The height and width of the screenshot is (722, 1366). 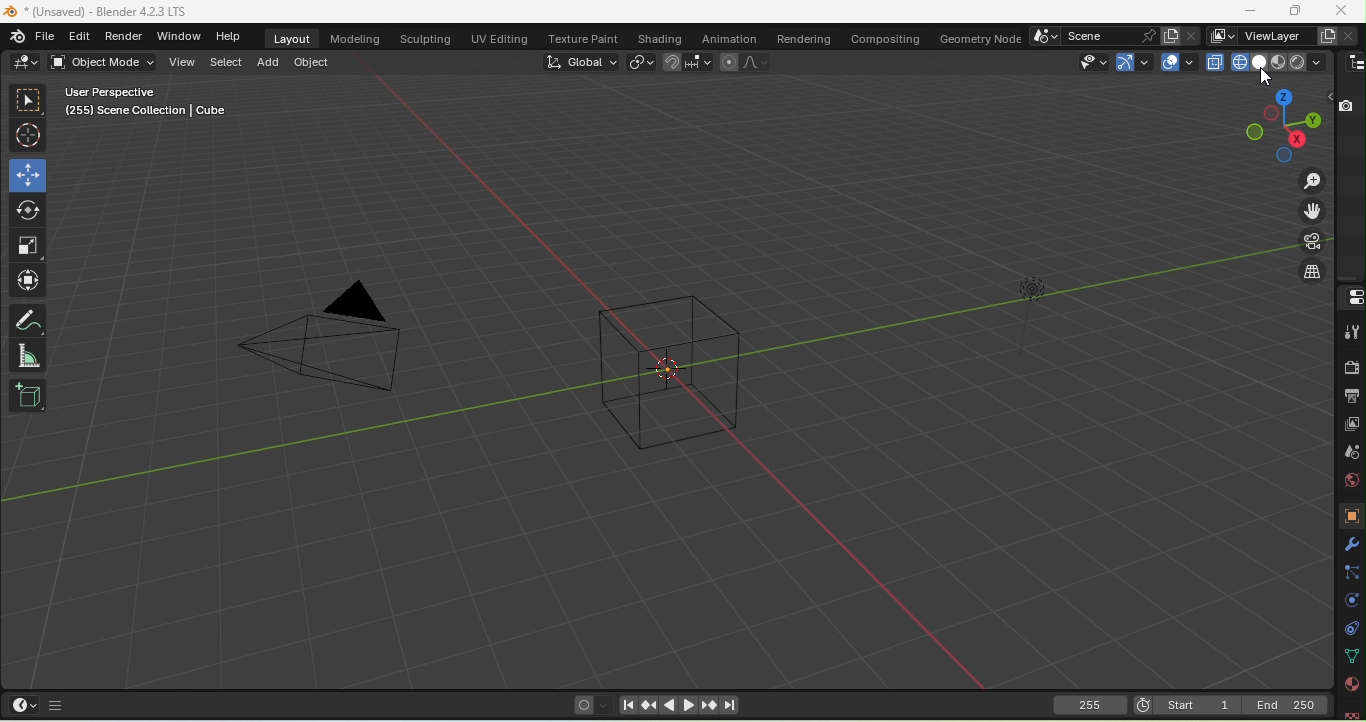 I want to click on Rotate the view, so click(x=1253, y=133).